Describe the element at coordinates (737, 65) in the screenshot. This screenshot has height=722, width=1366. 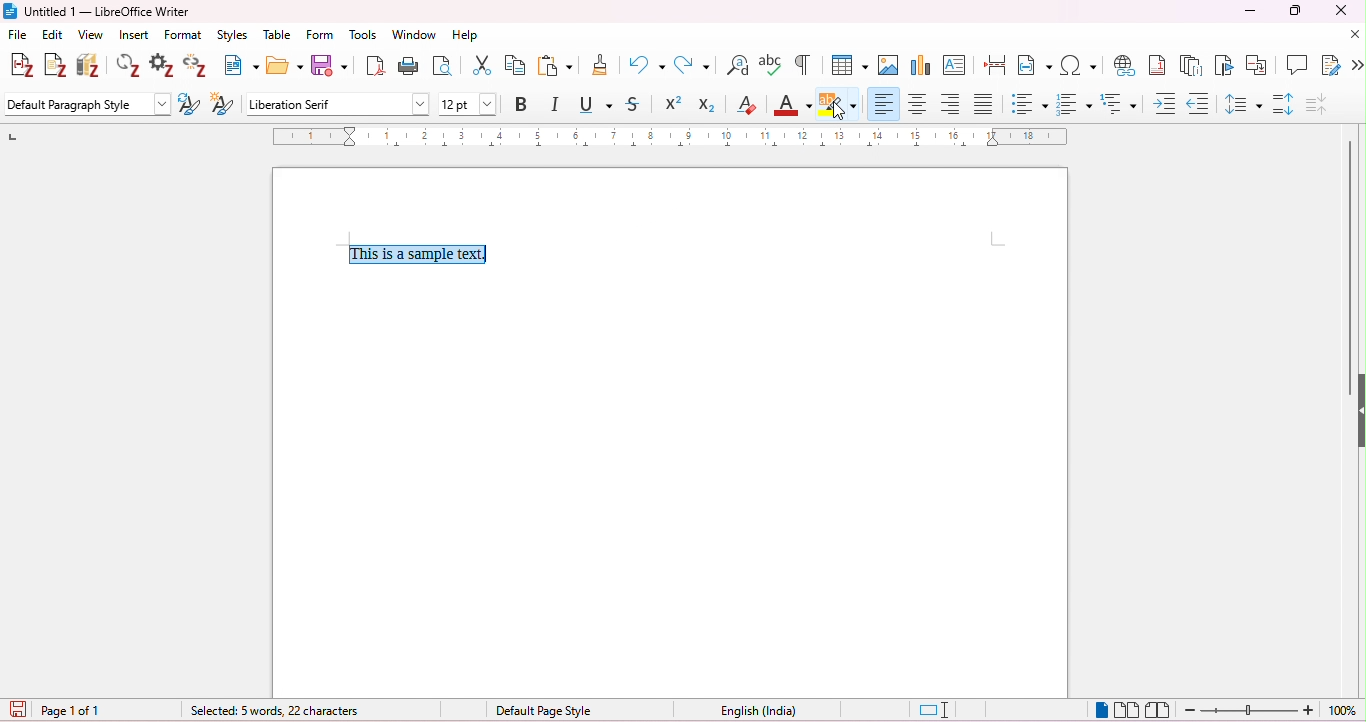
I see `find and replace` at that location.